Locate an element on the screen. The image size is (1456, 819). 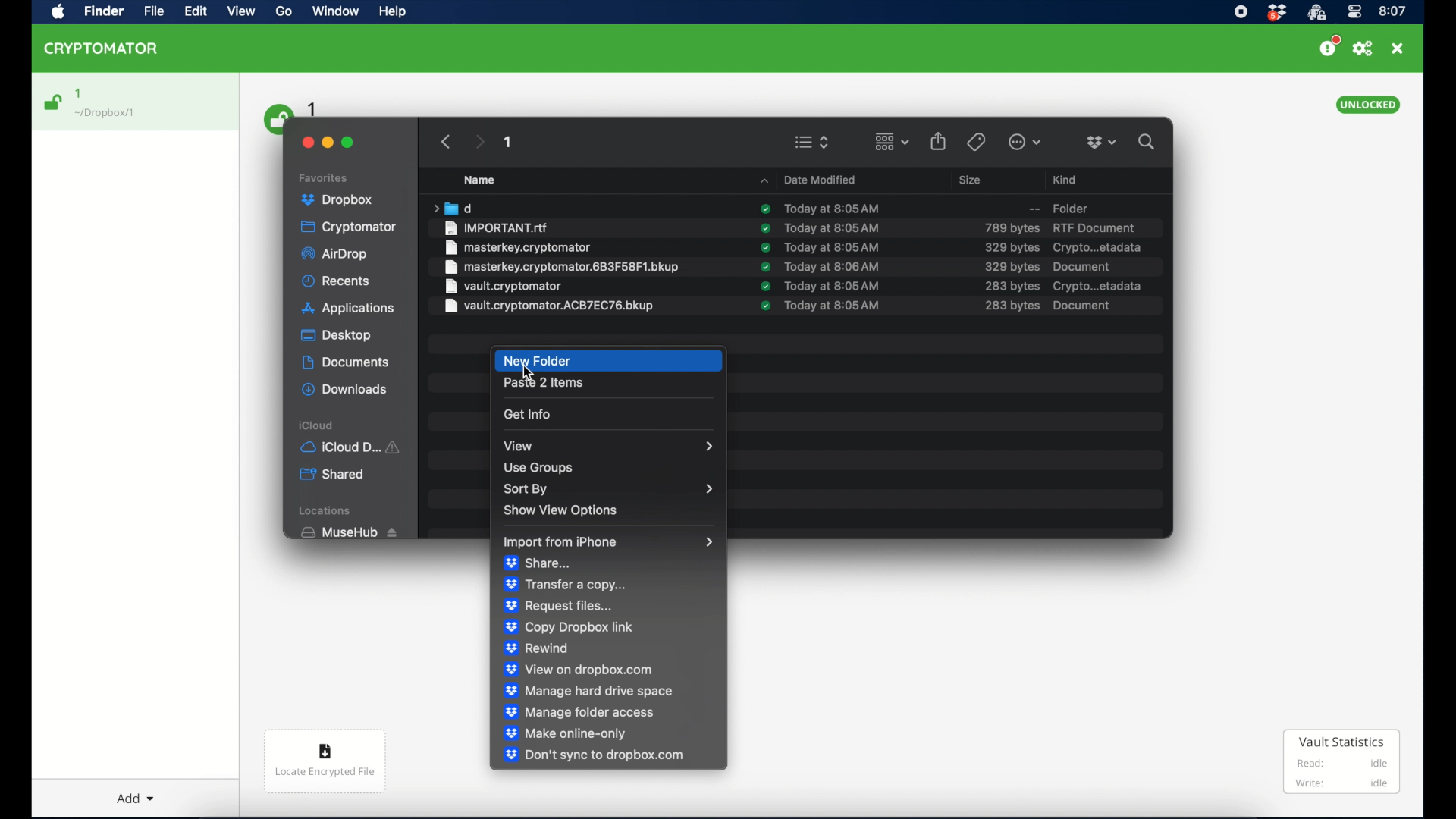
share is located at coordinates (537, 563).